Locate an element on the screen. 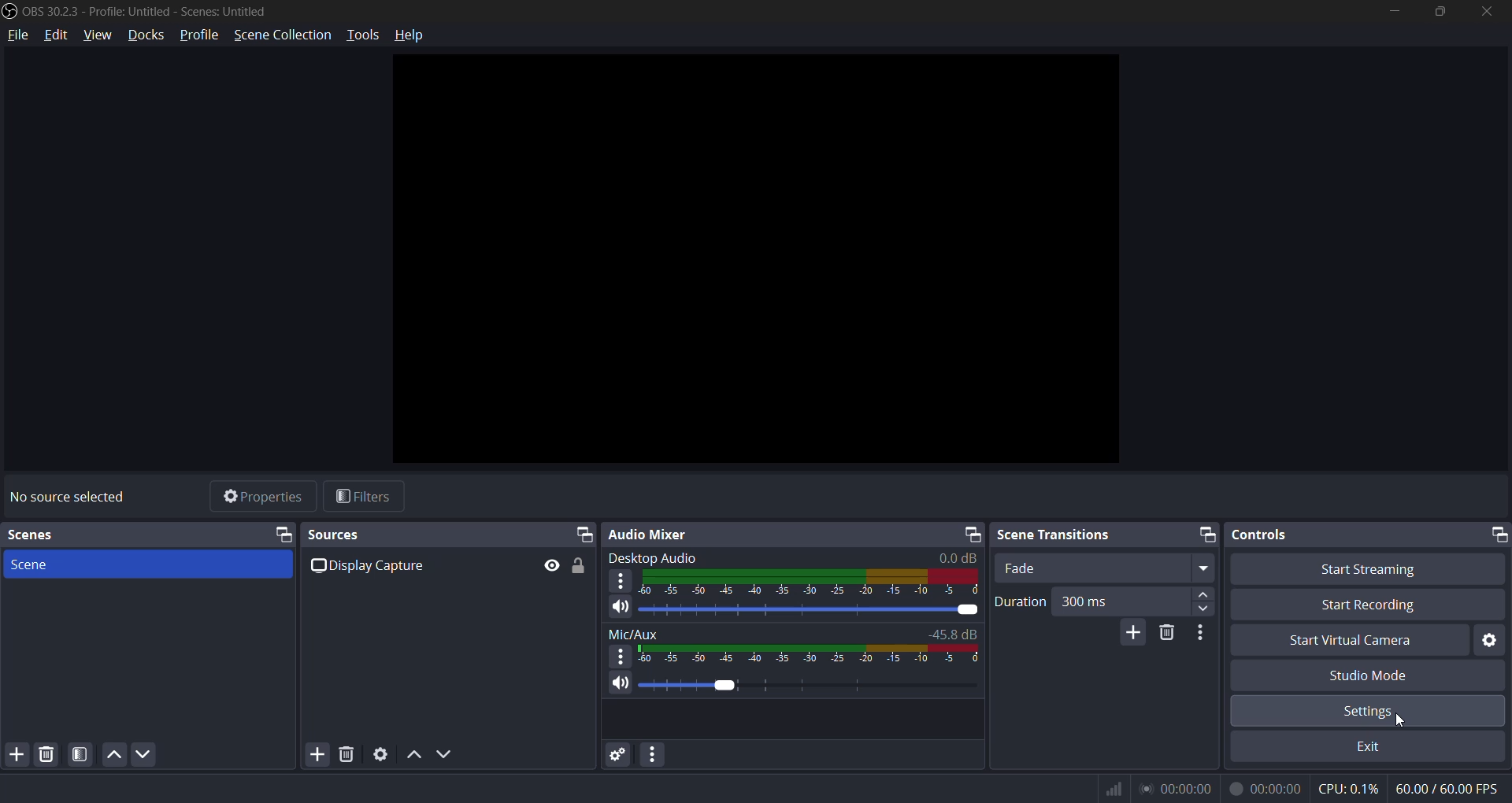 This screenshot has height=803, width=1512. add source is located at coordinates (17, 754).